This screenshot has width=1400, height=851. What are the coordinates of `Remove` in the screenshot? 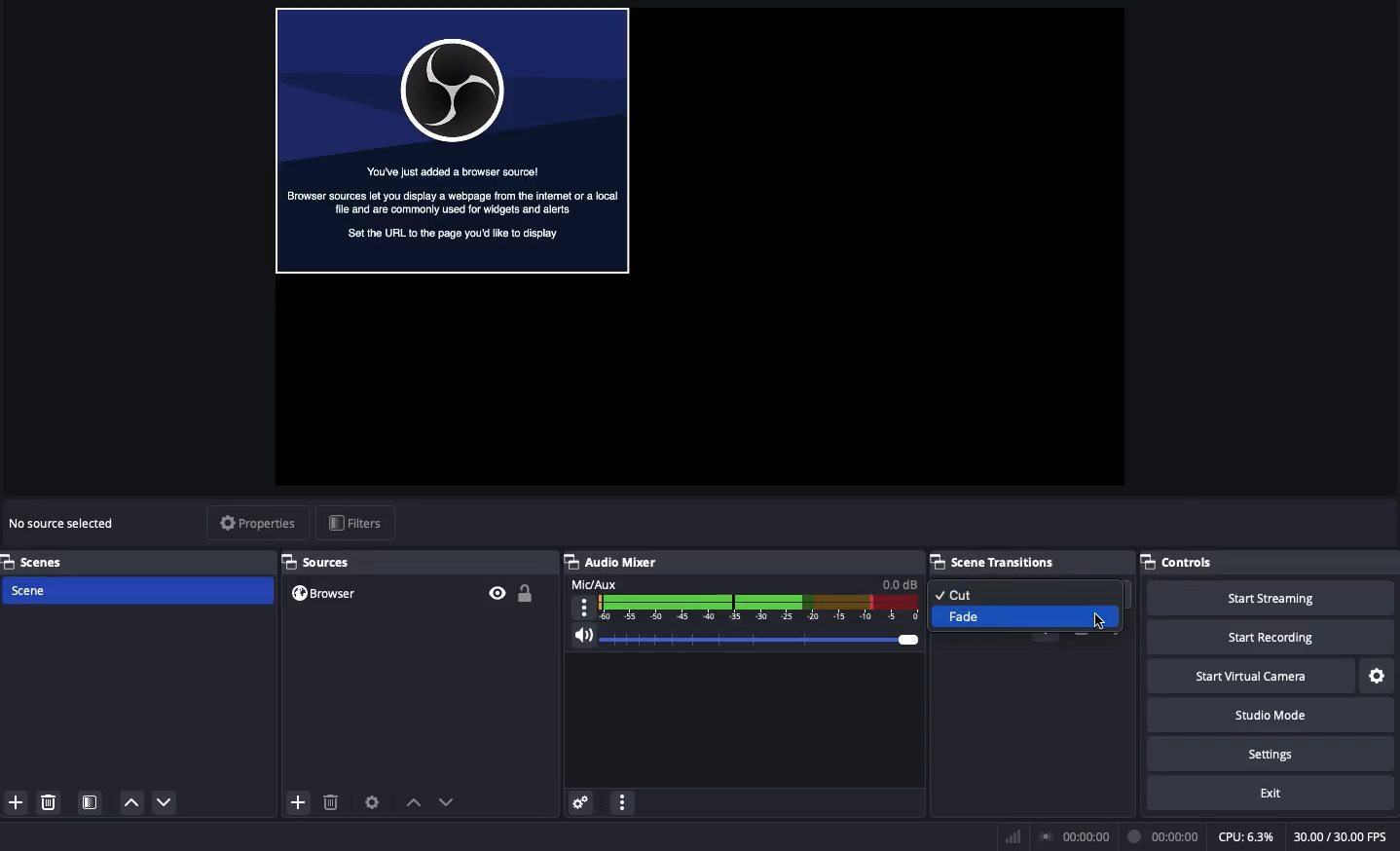 It's located at (51, 804).